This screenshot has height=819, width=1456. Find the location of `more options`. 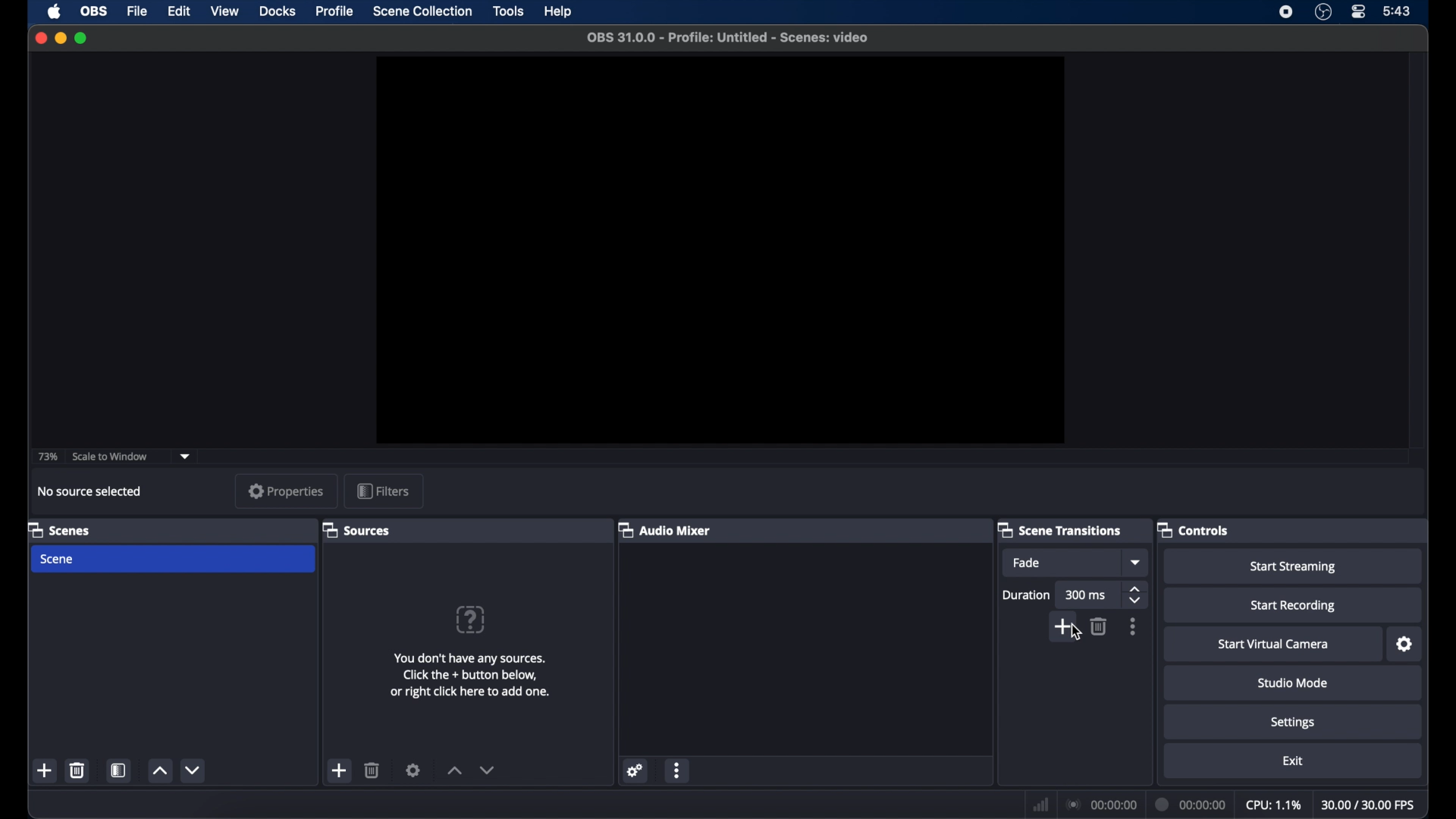

more options is located at coordinates (679, 770).